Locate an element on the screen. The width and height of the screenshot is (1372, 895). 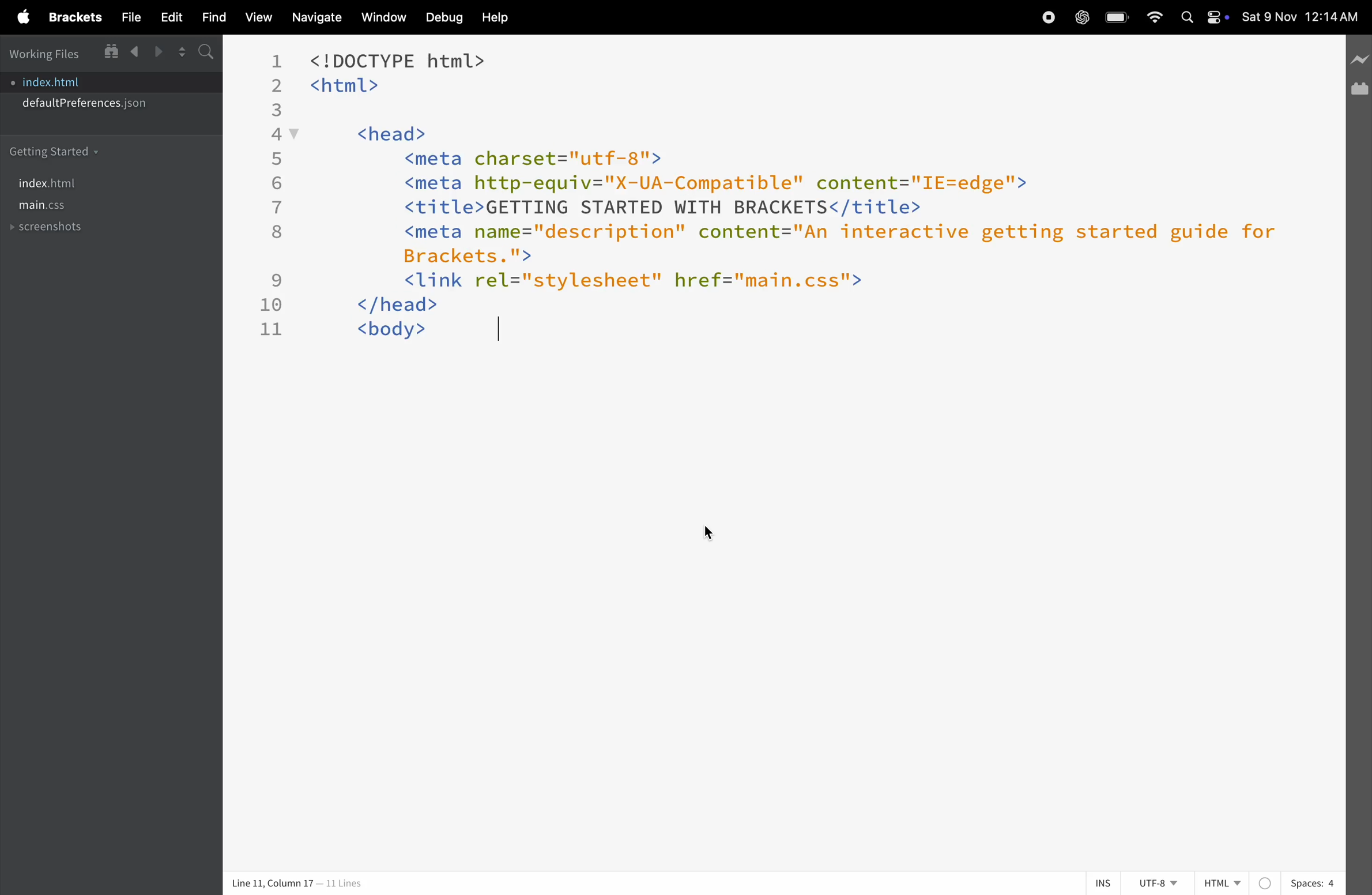
extension is located at coordinates (1359, 92).